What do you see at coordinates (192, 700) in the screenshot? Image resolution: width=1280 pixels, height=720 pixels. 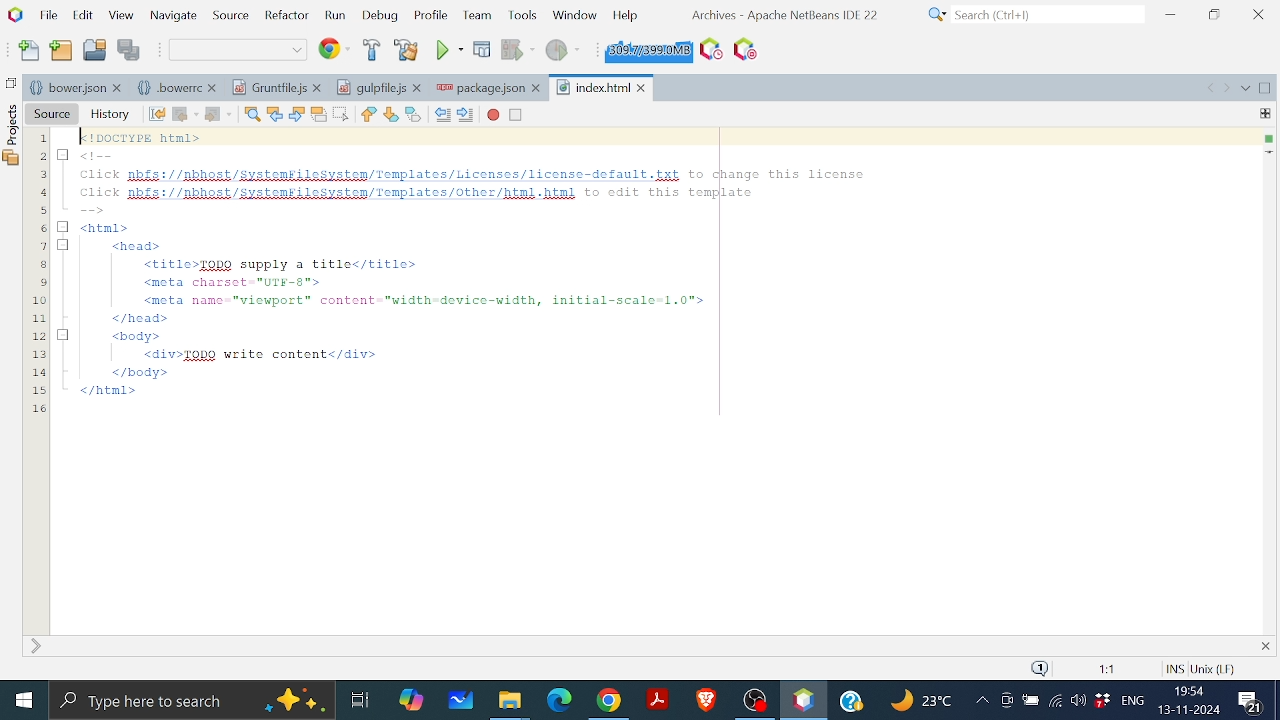 I see `Type here to search` at bounding box center [192, 700].